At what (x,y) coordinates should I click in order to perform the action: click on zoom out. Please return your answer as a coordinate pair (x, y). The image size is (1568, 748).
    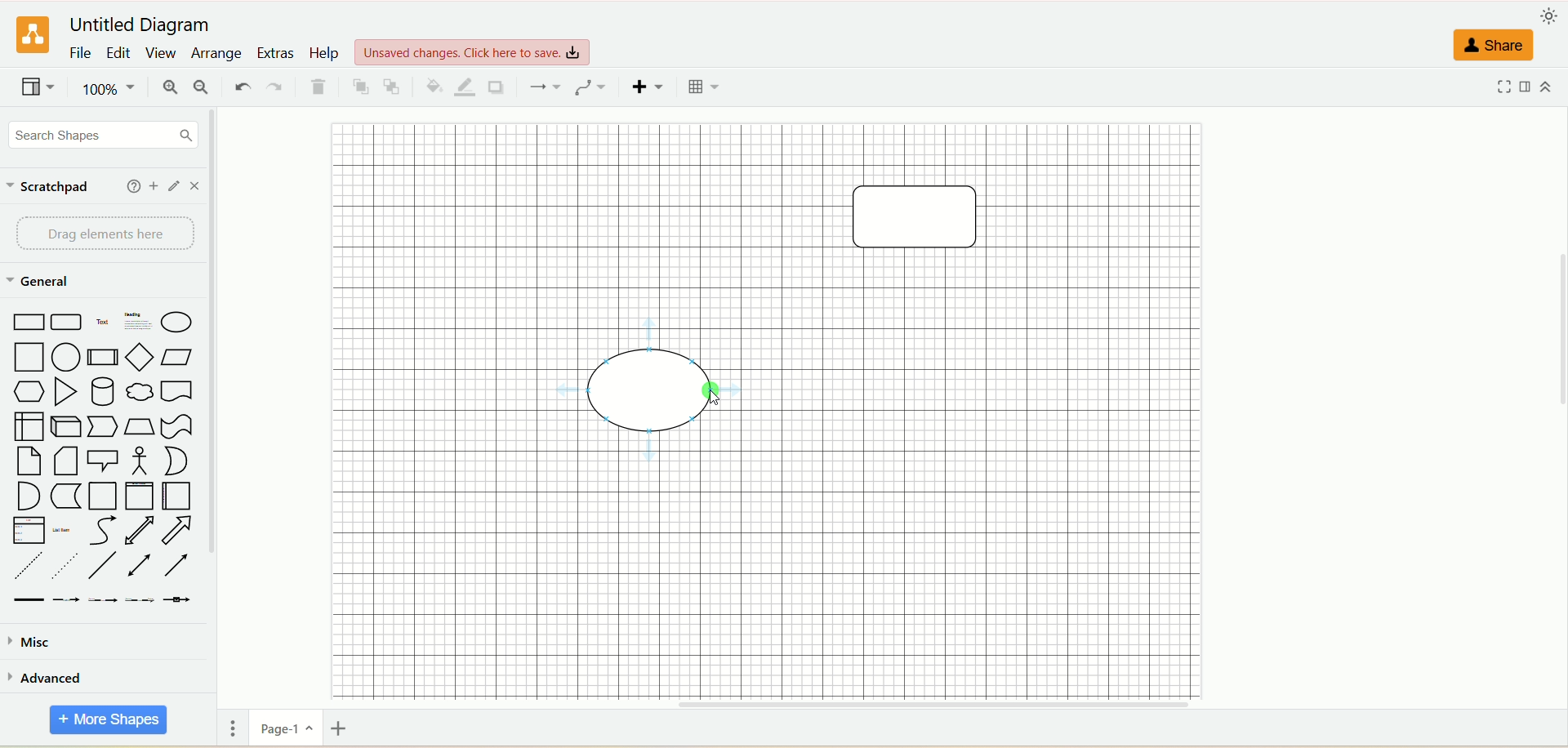
    Looking at the image, I should click on (205, 89).